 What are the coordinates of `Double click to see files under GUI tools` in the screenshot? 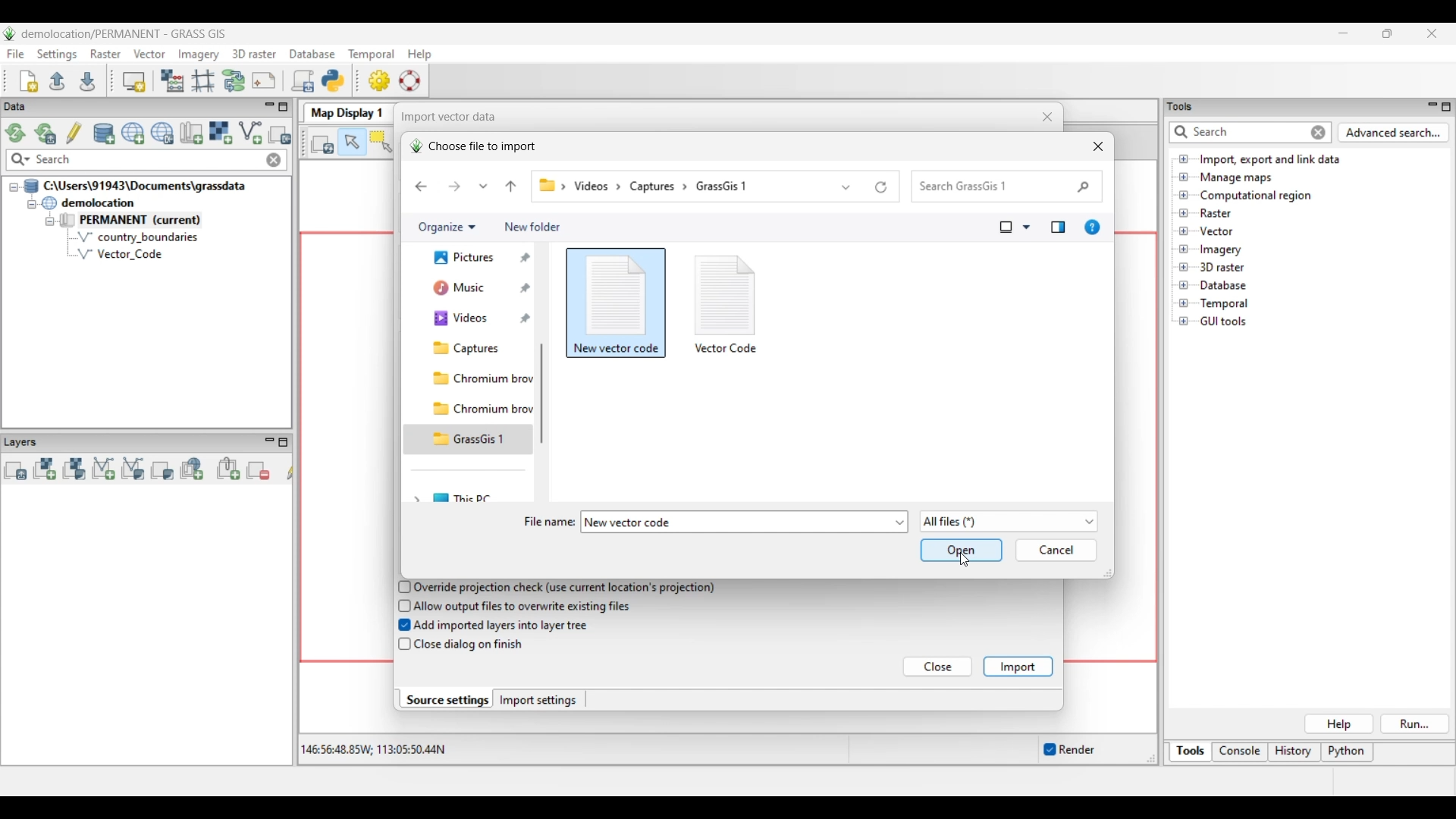 It's located at (1224, 322).